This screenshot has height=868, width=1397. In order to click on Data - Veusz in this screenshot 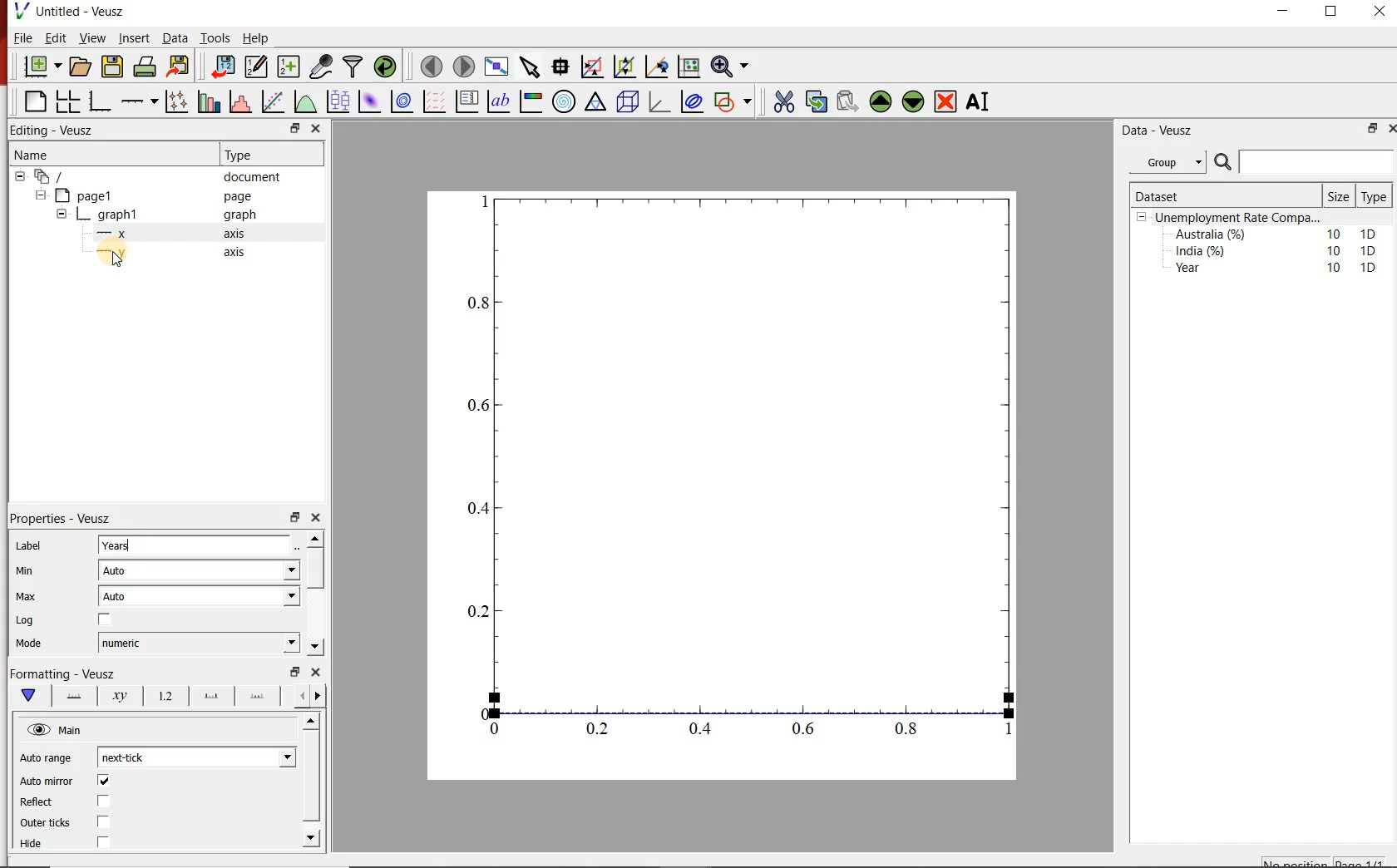, I will do `click(1173, 131)`.